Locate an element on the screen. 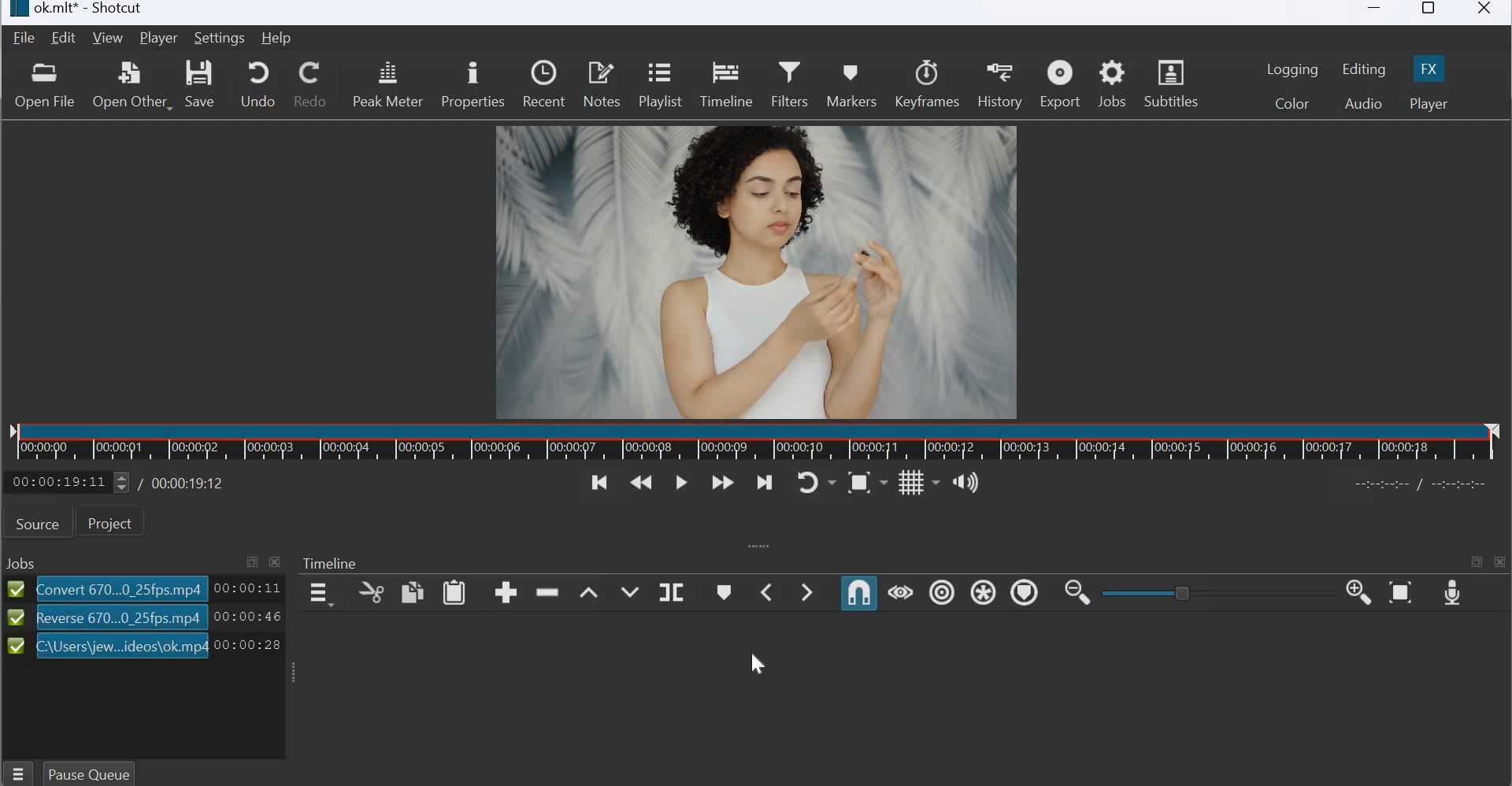  Next Marker is located at coordinates (811, 591).